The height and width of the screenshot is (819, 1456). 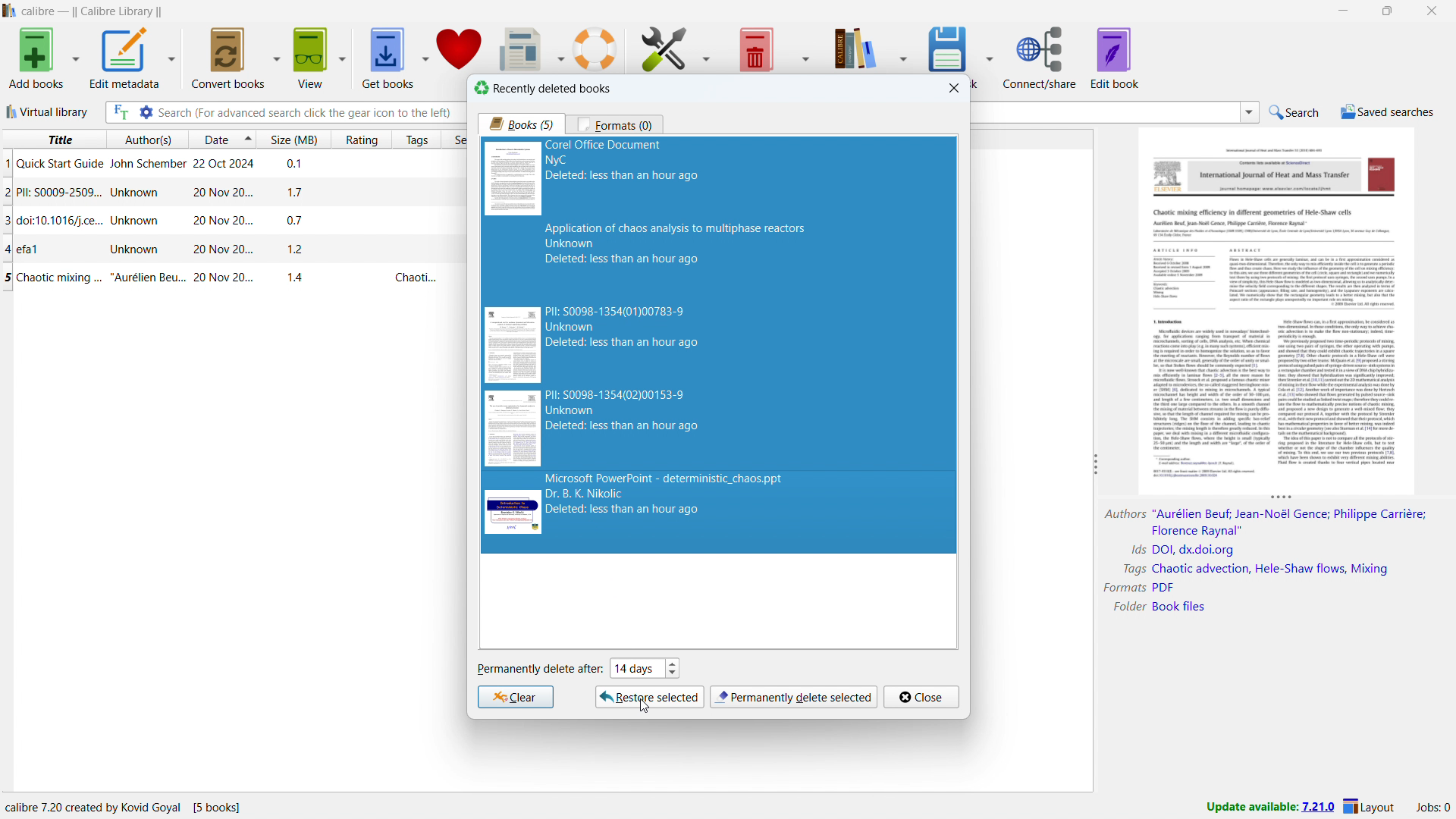 What do you see at coordinates (539, 670) in the screenshot?
I see `permanently delete after` at bounding box center [539, 670].